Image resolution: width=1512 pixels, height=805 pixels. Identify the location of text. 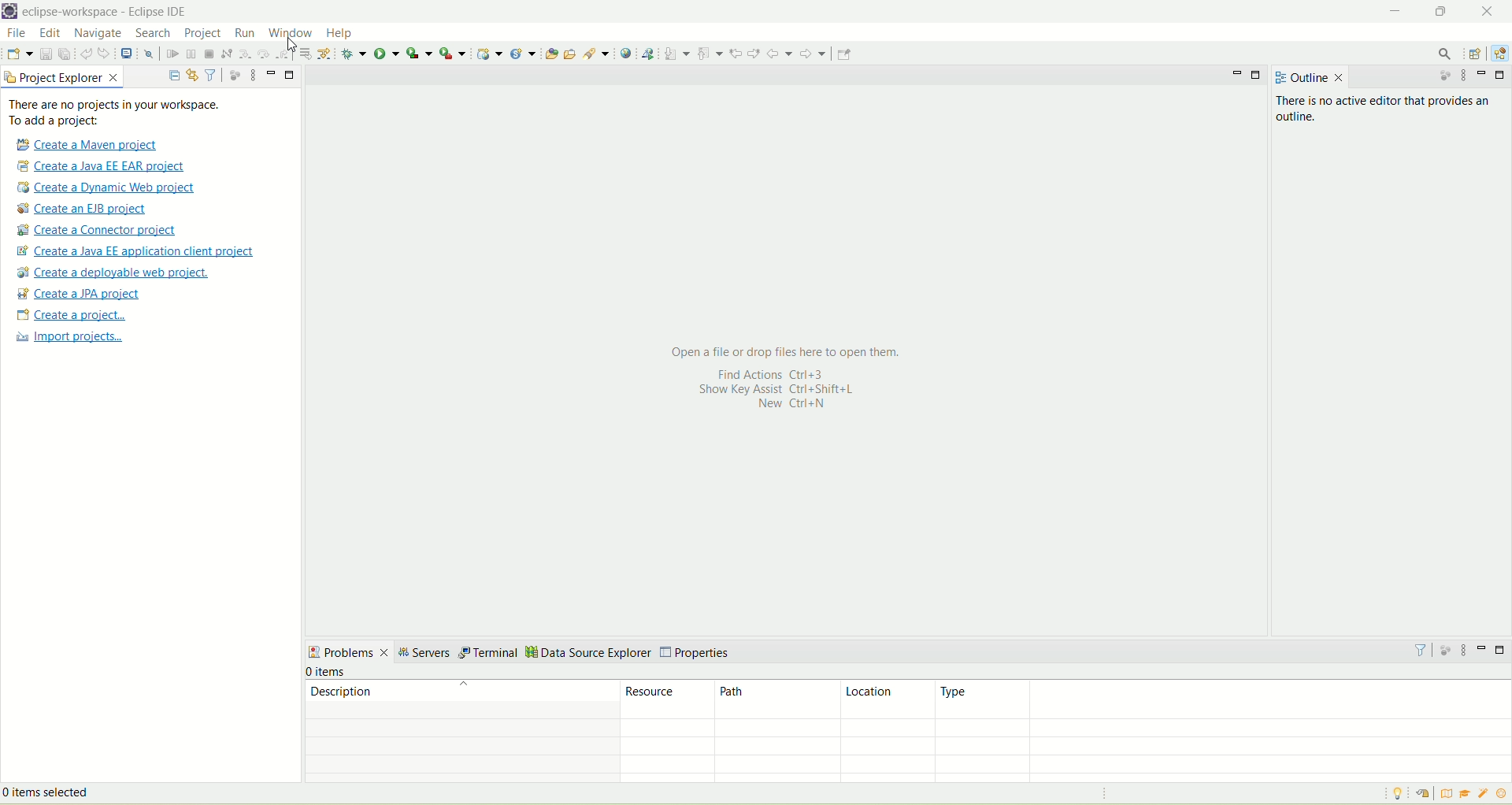
(124, 113).